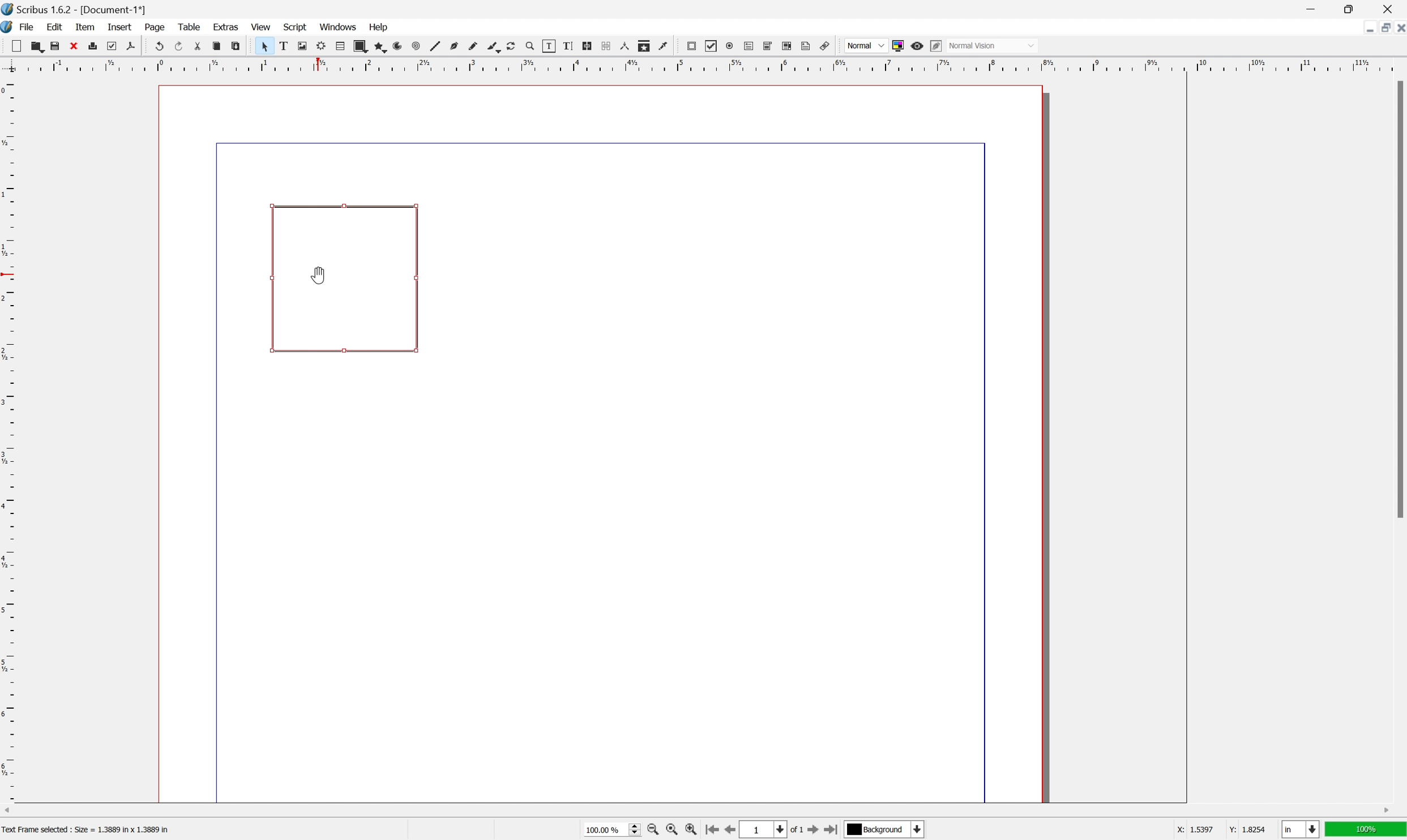  I want to click on open, so click(39, 48).